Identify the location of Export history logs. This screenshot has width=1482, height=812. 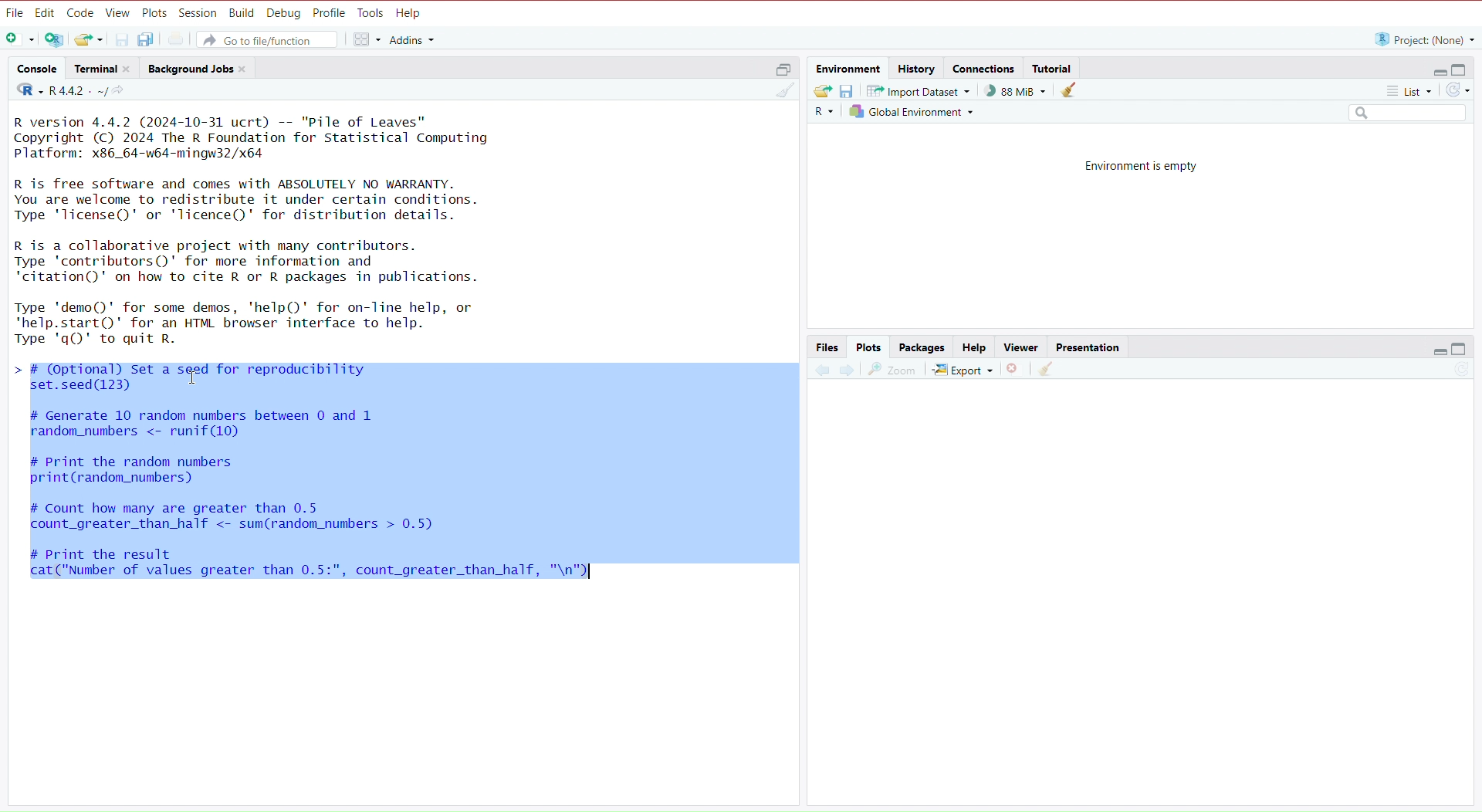
(822, 91).